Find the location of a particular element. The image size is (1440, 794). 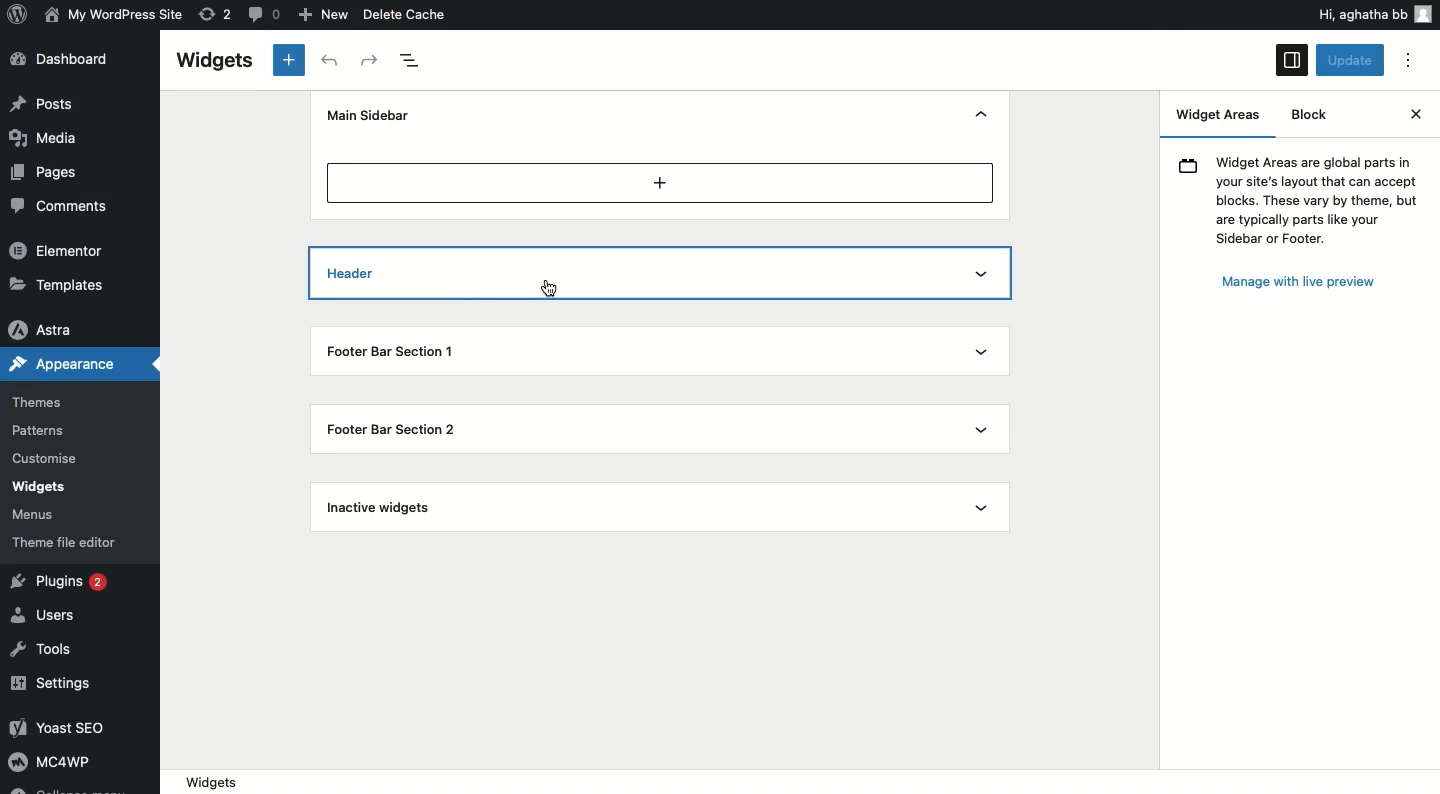

Customise is located at coordinates (42, 461).